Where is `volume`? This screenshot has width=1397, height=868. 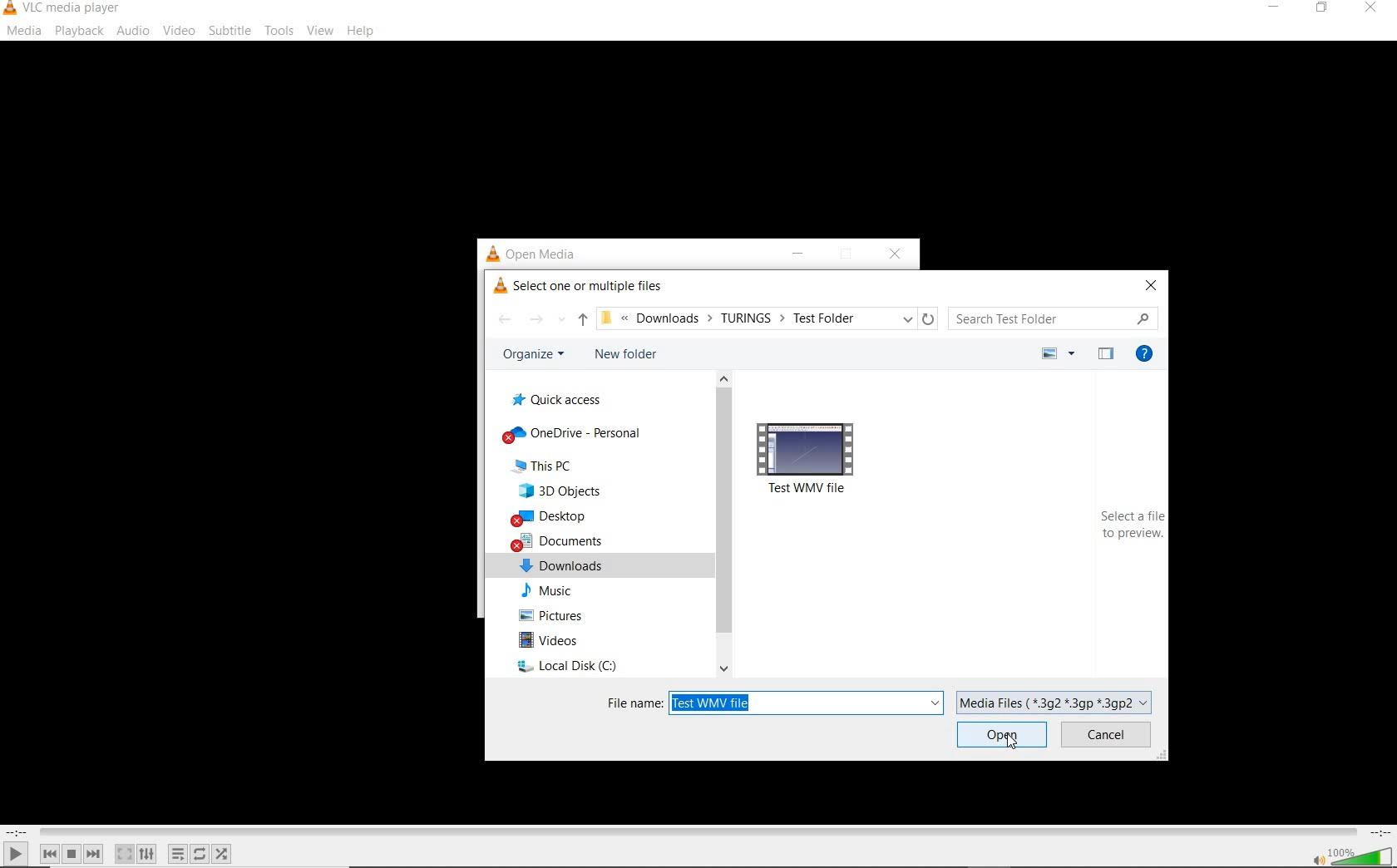
volume is located at coordinates (1362, 855).